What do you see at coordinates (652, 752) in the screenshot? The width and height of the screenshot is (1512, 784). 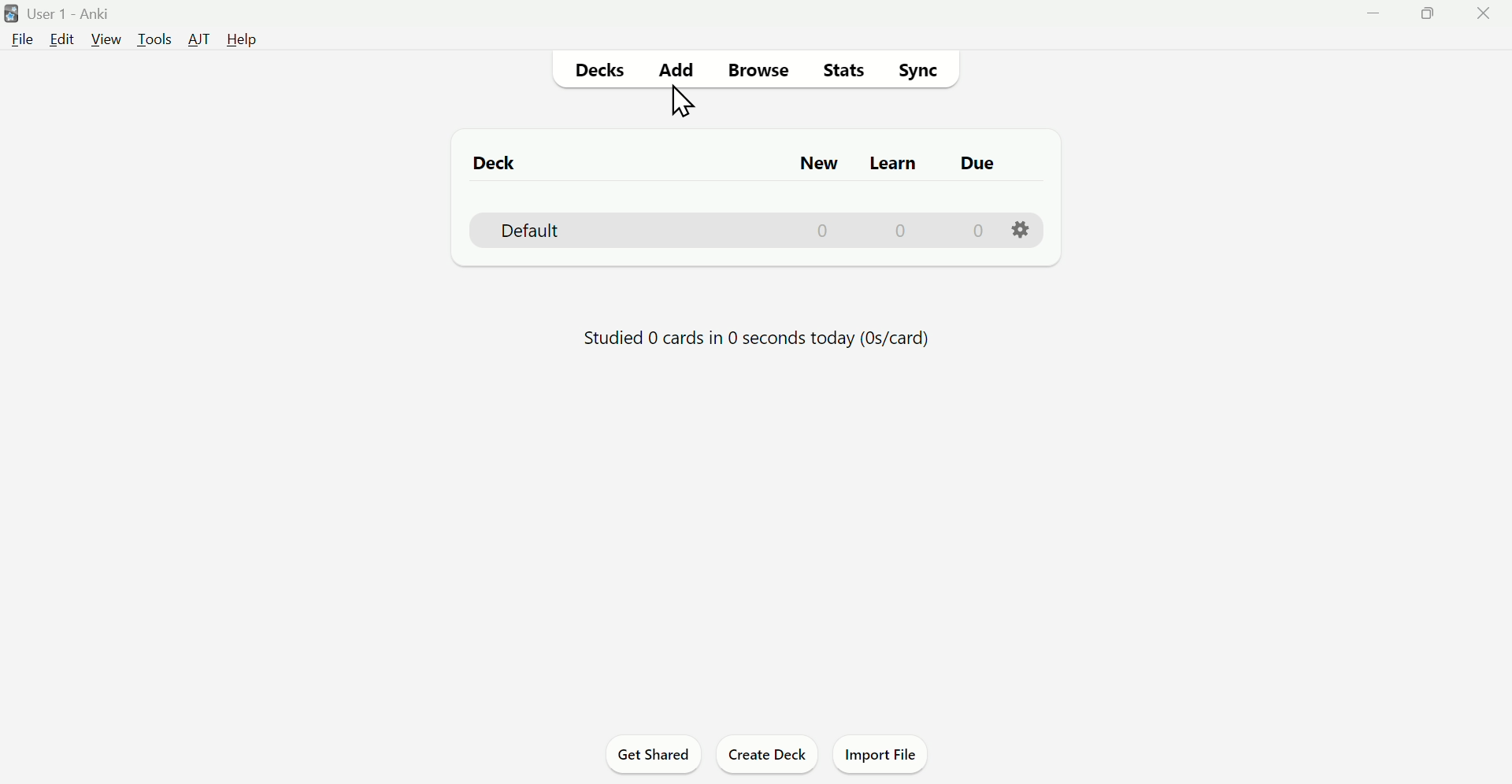 I see `Get Shared` at bounding box center [652, 752].